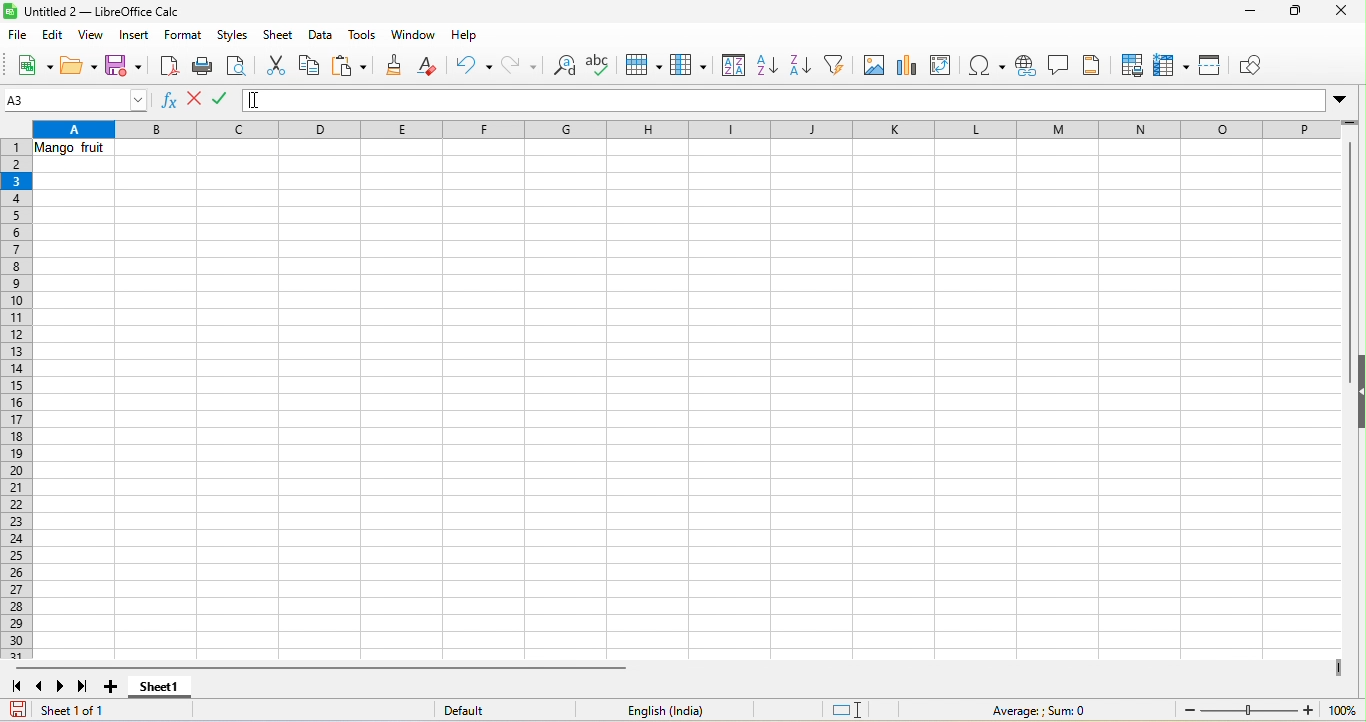 The height and width of the screenshot is (722, 1366). I want to click on add sheet, so click(117, 687).